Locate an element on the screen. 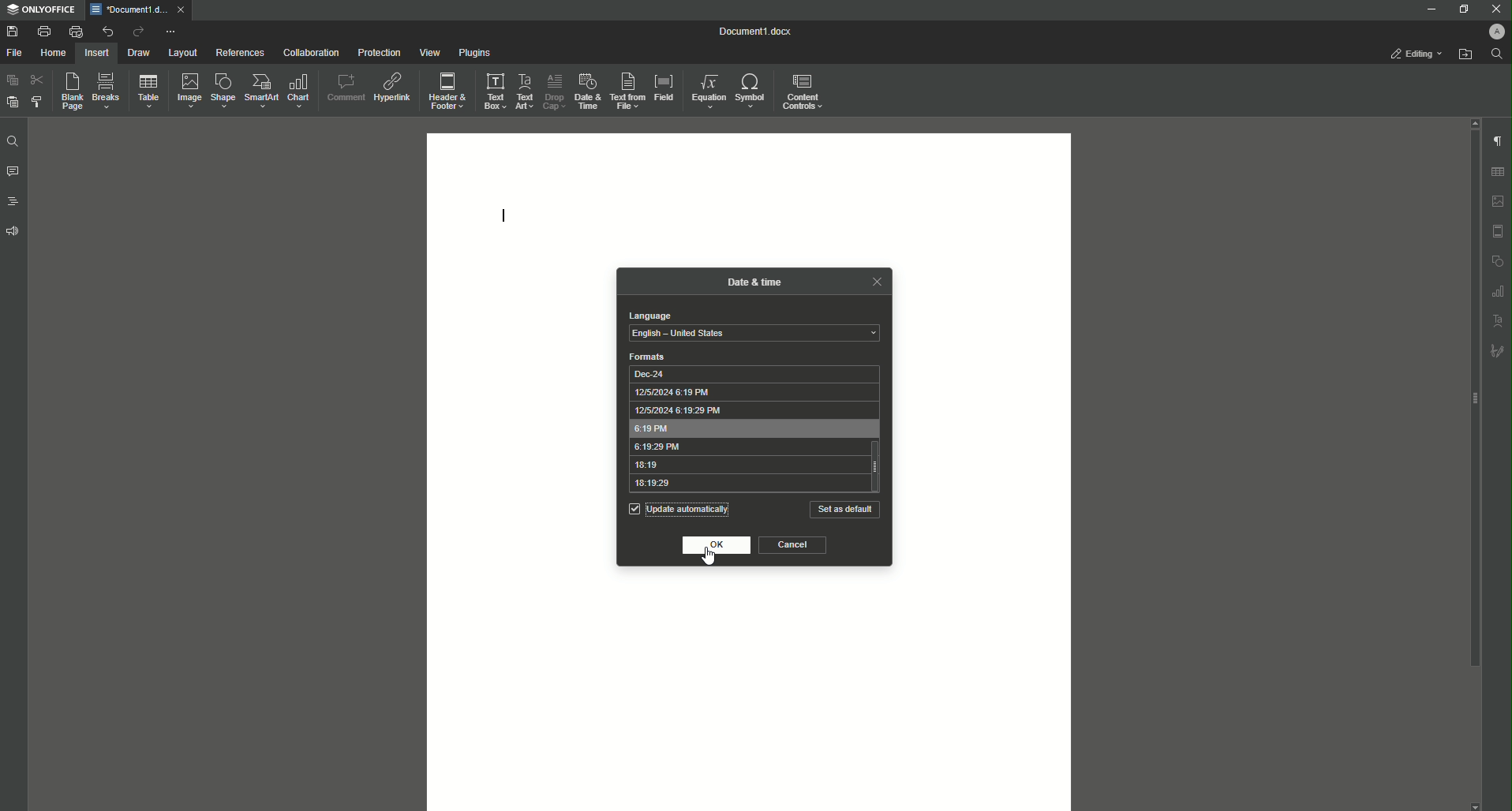 This screenshot has height=811, width=1512. image settings is located at coordinates (1499, 201).